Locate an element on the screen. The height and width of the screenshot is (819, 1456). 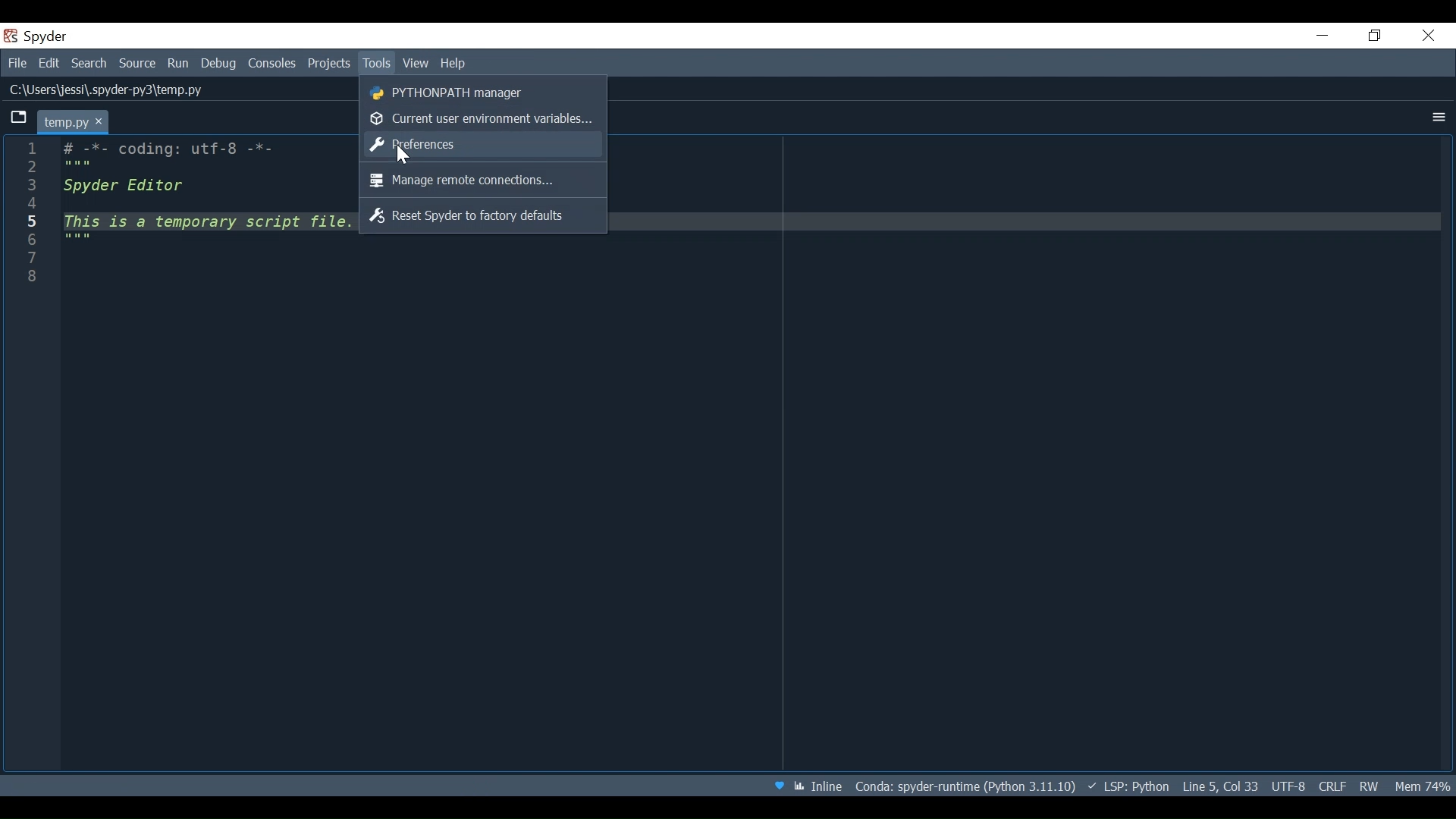
More Options is located at coordinates (1436, 117).